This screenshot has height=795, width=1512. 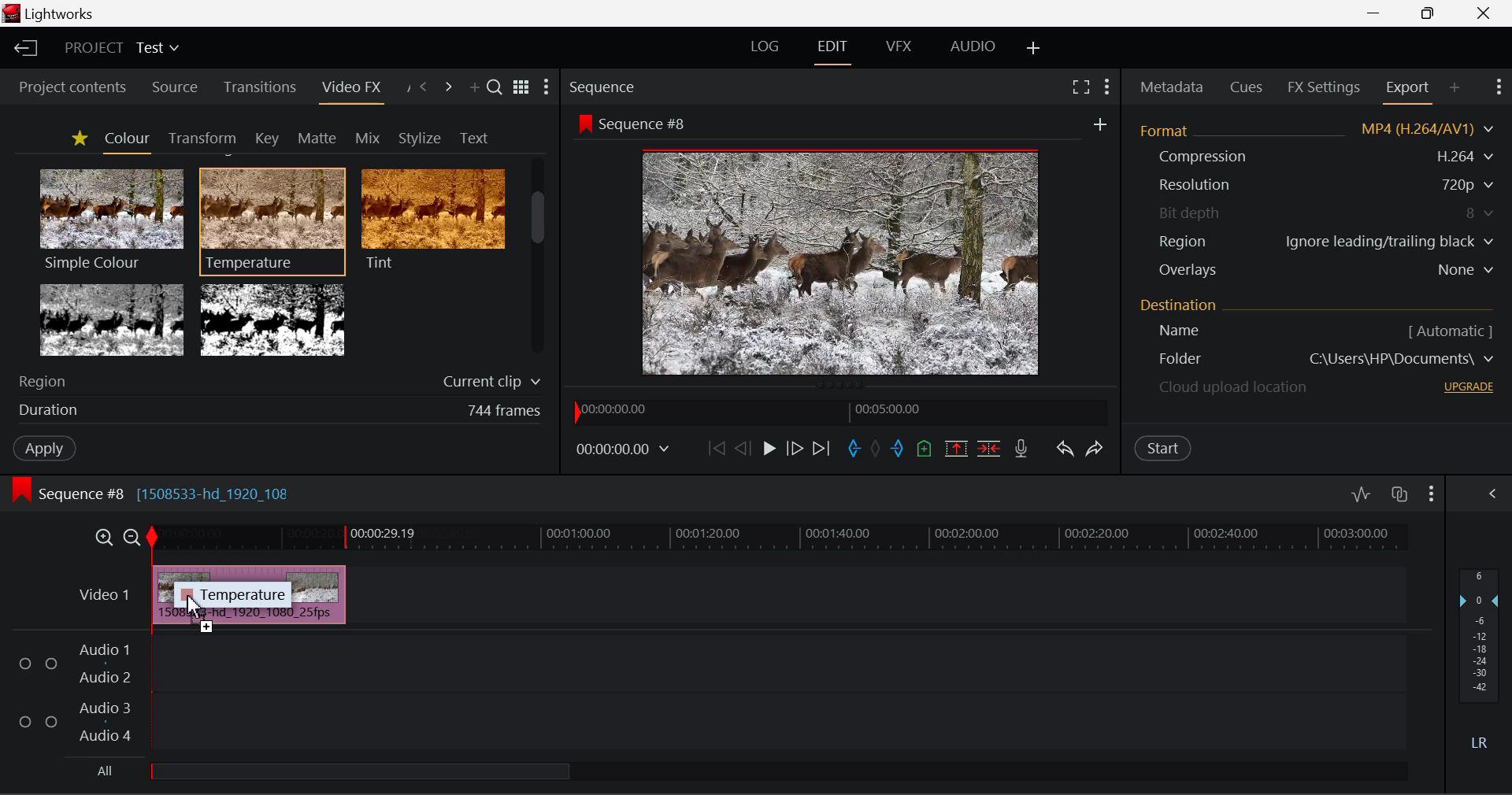 What do you see at coordinates (1234, 390) in the screenshot?
I see `Cloud upload location - upgrade` at bounding box center [1234, 390].